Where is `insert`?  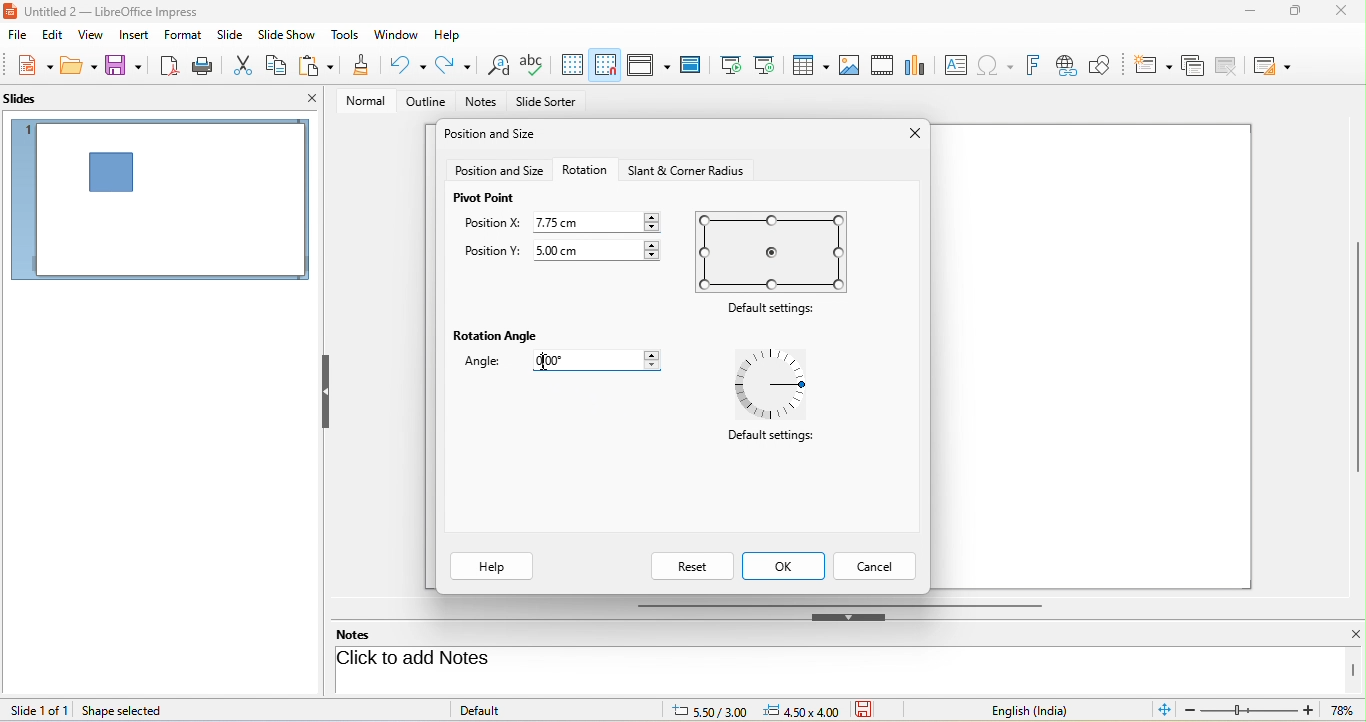 insert is located at coordinates (132, 35).